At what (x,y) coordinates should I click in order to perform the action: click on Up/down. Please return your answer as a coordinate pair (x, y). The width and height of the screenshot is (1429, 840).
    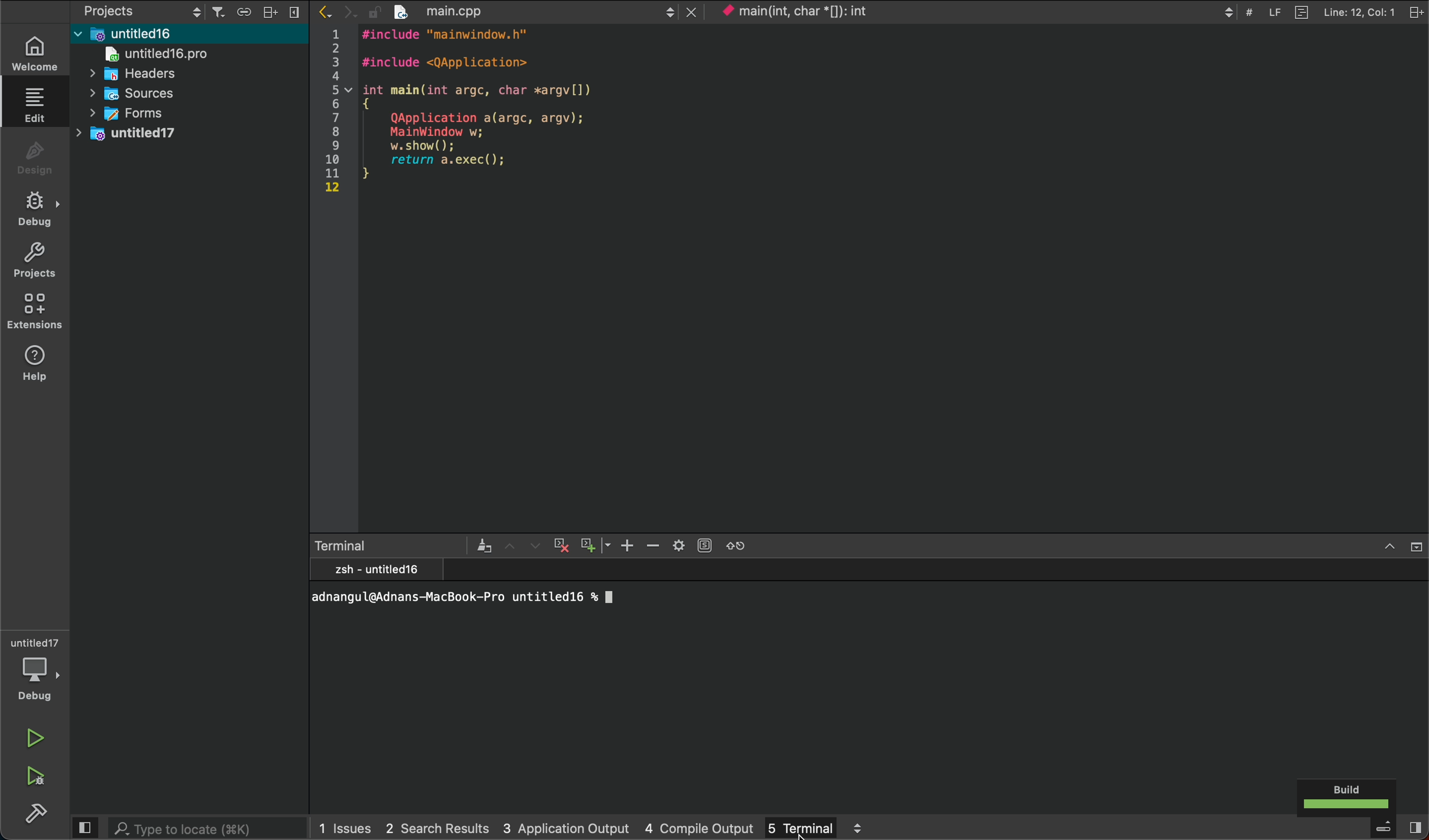
    Looking at the image, I should click on (1228, 12).